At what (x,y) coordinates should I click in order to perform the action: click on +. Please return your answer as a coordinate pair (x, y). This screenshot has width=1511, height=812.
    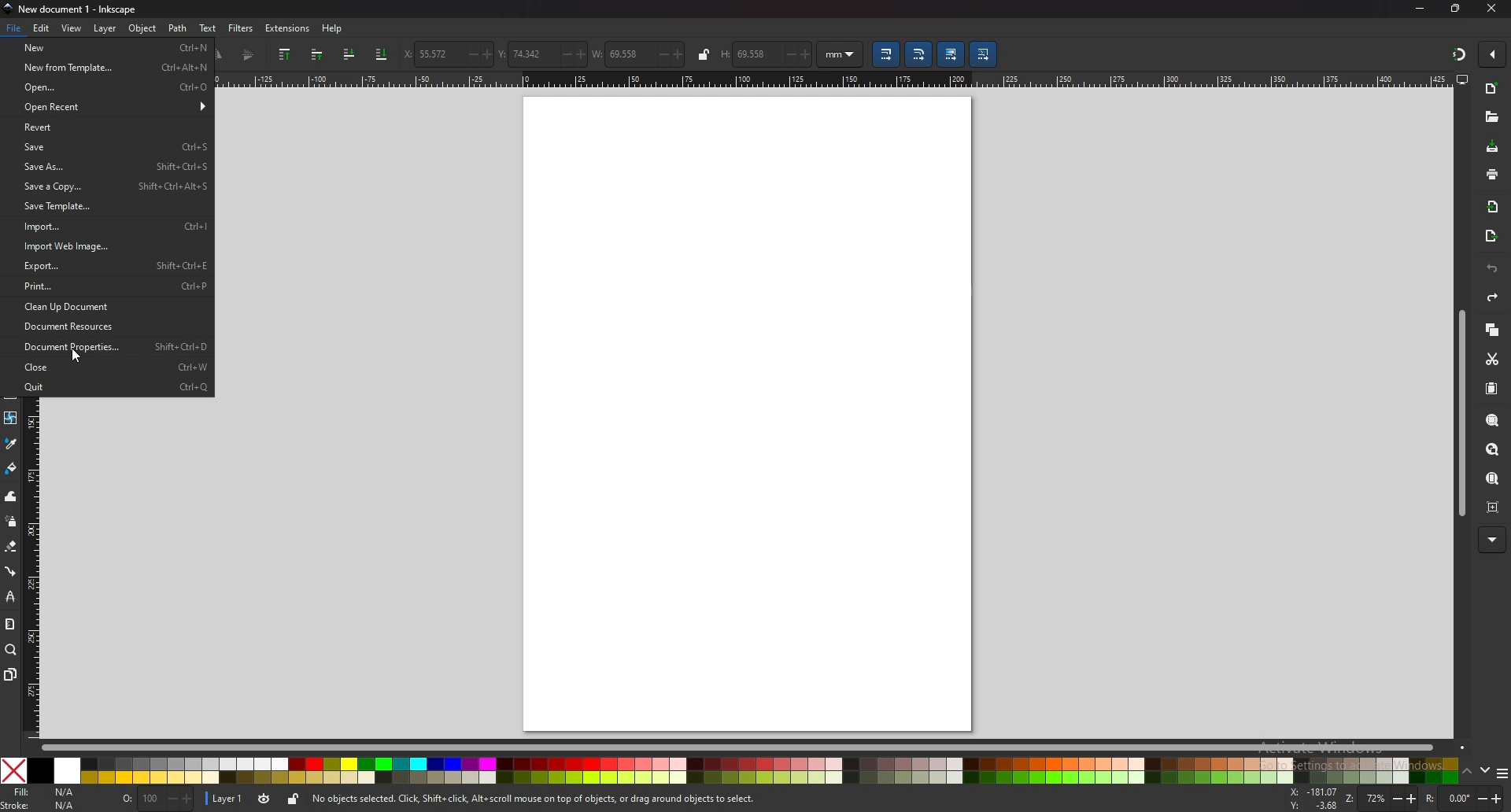
    Looking at the image, I should click on (577, 54).